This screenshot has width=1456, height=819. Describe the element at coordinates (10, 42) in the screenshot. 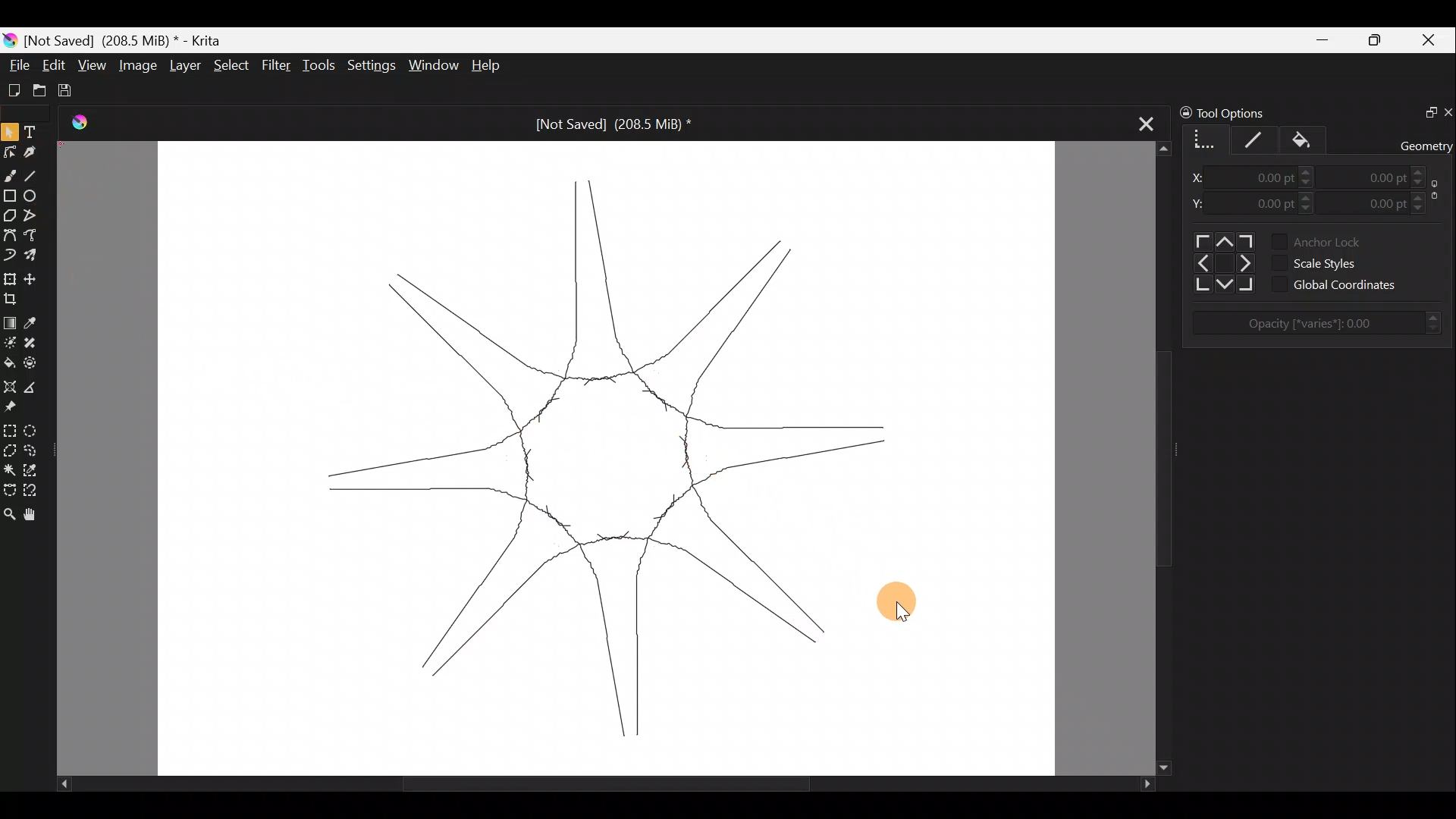

I see `Krita logo` at that location.